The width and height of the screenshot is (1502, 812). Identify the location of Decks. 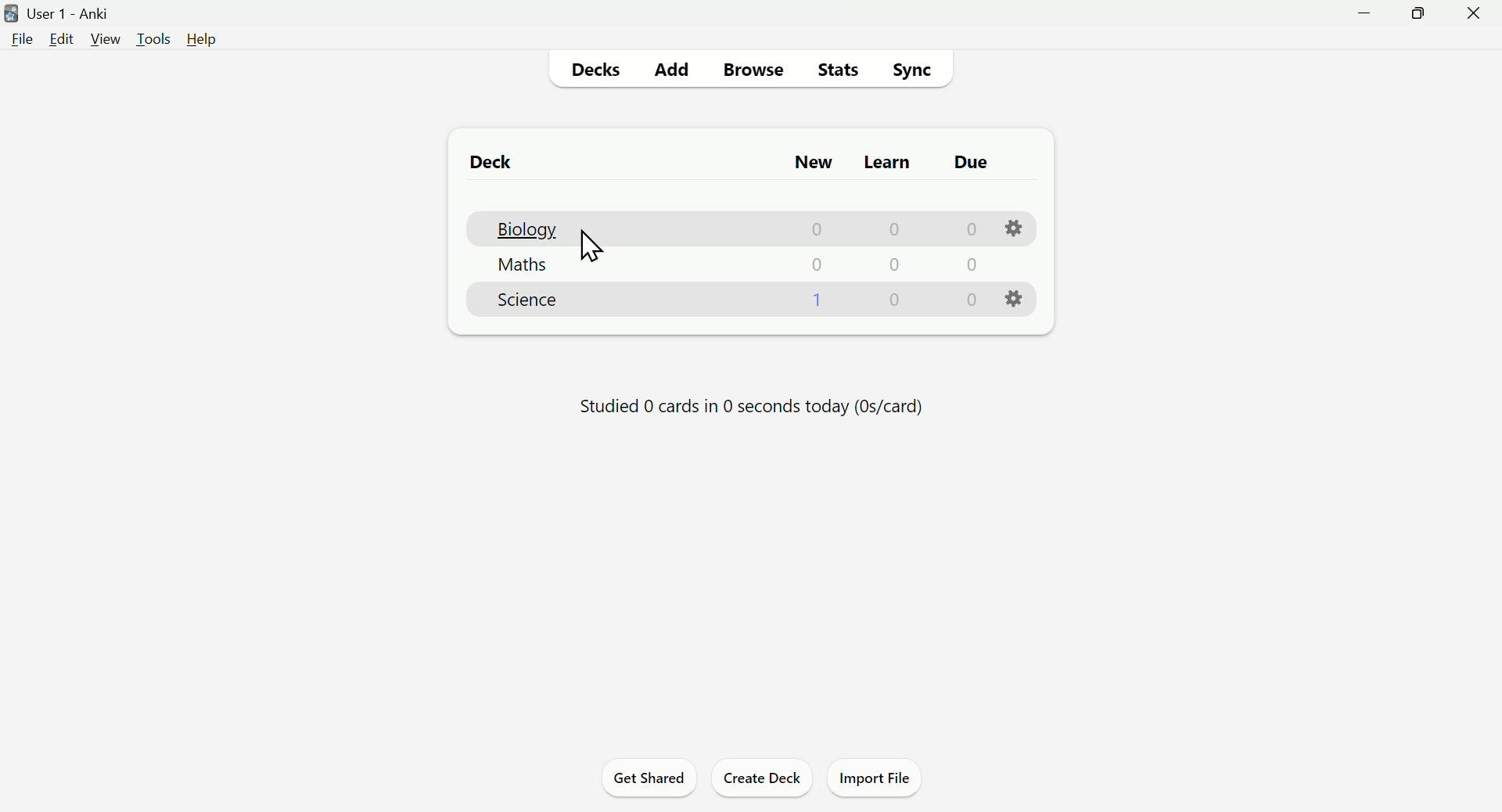
(599, 68).